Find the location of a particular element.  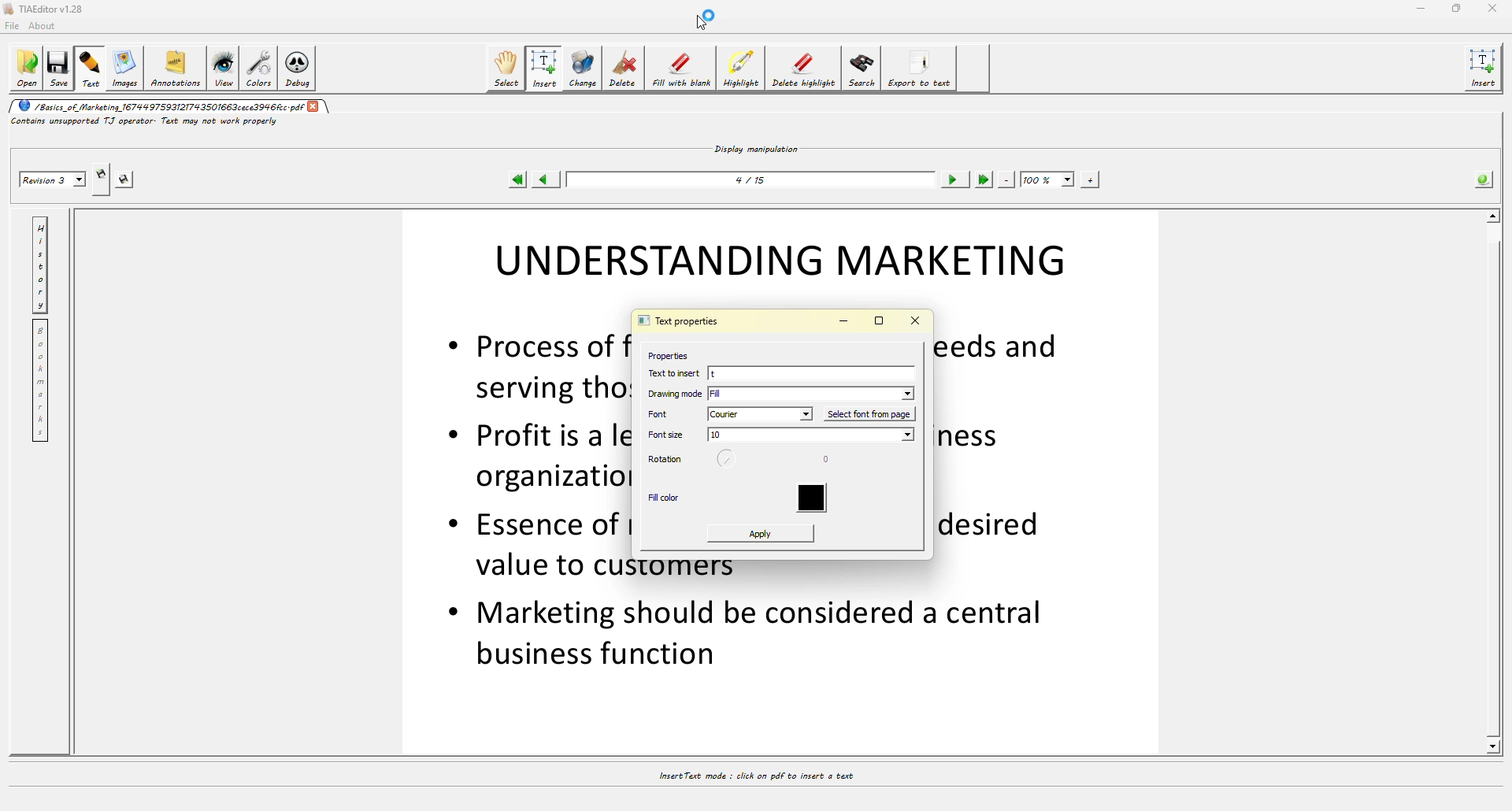

minimize is located at coordinates (1418, 9).